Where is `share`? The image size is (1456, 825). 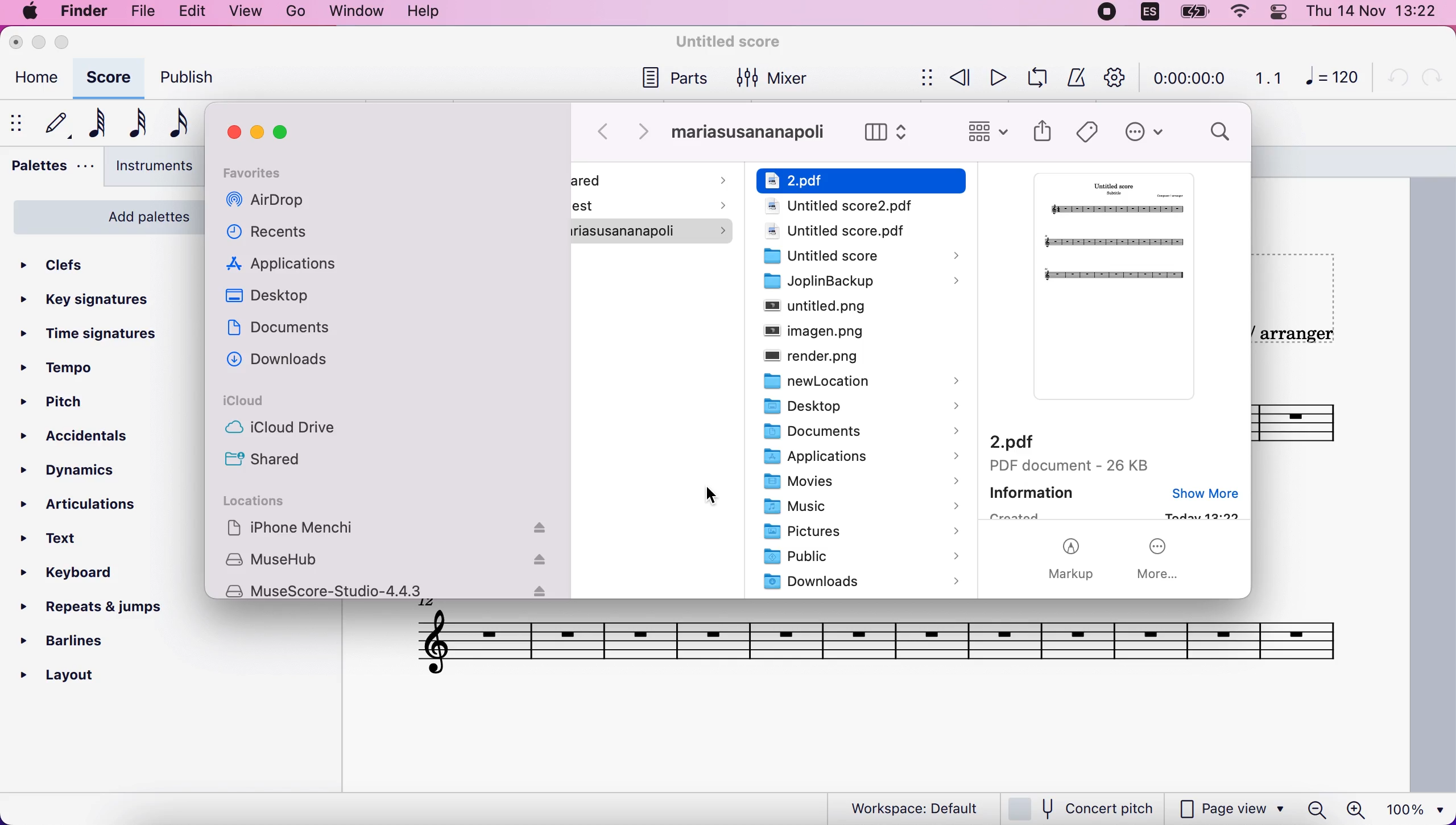 share is located at coordinates (1044, 134).